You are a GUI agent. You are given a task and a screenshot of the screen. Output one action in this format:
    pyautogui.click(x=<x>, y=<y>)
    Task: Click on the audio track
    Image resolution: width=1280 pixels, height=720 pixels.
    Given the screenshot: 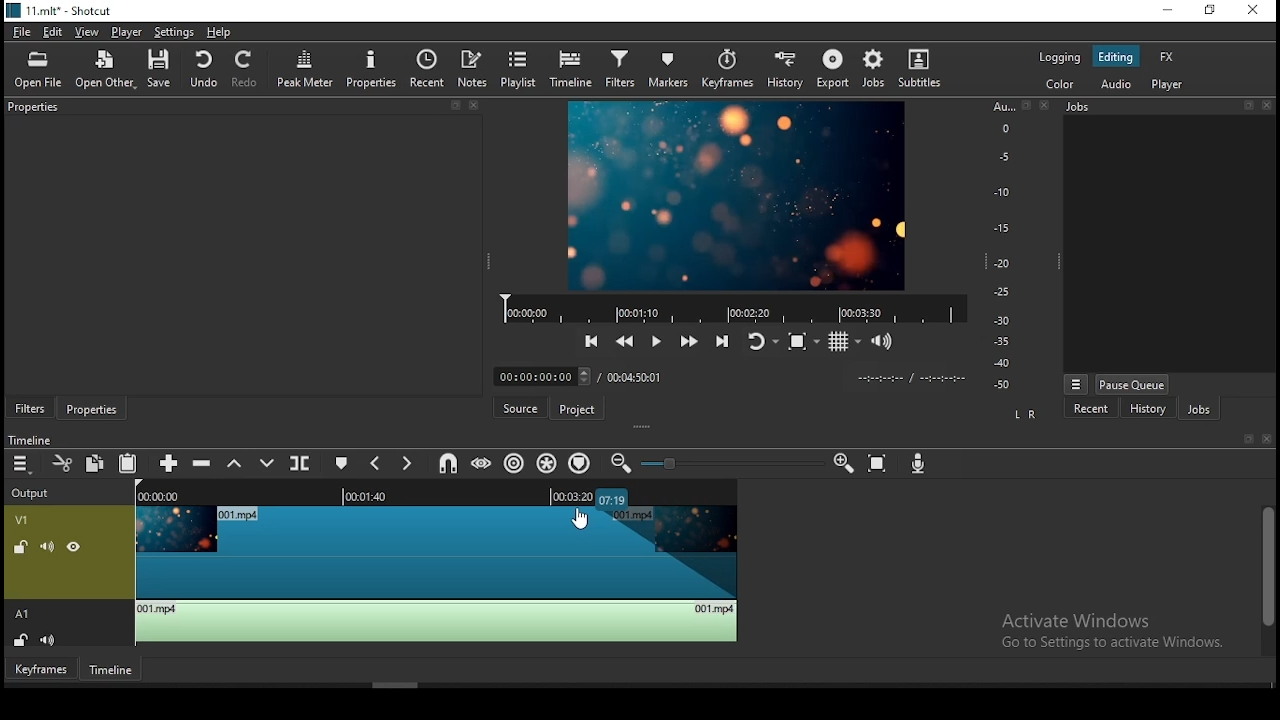 What is the action you would take?
    pyautogui.click(x=377, y=624)
    